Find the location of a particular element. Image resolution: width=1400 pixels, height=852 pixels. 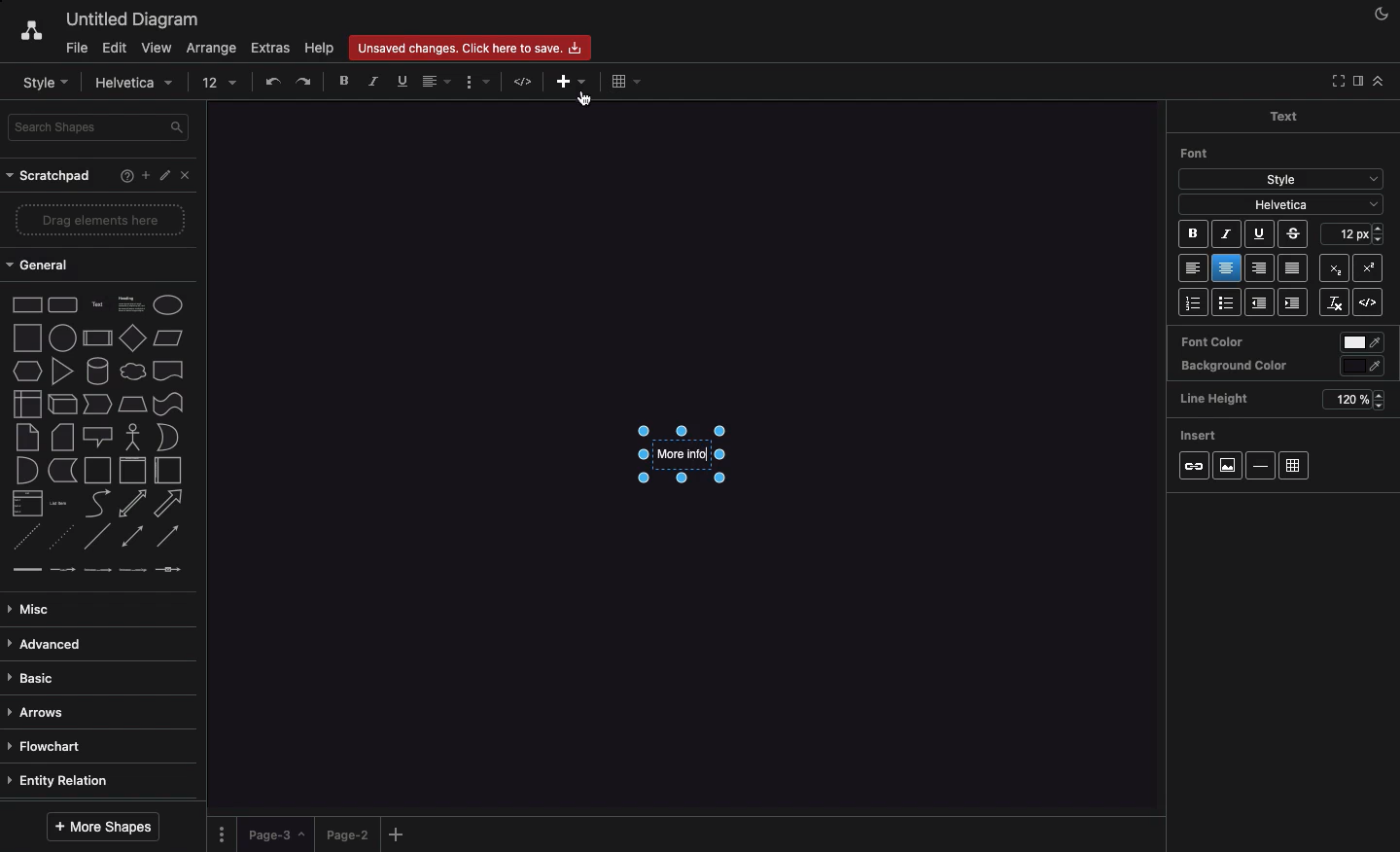

Embed is located at coordinates (1373, 303).